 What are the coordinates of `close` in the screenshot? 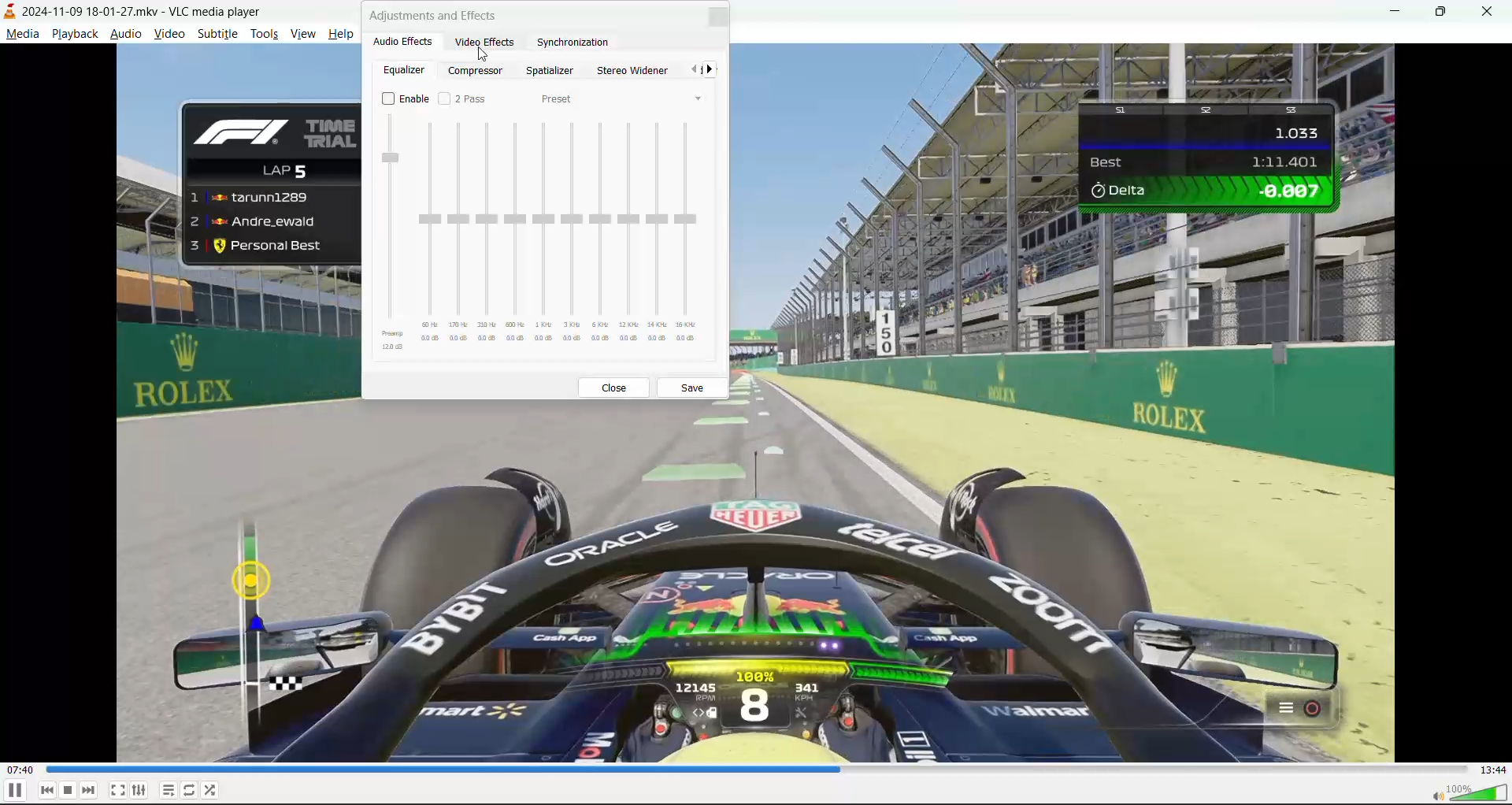 It's located at (1492, 9).